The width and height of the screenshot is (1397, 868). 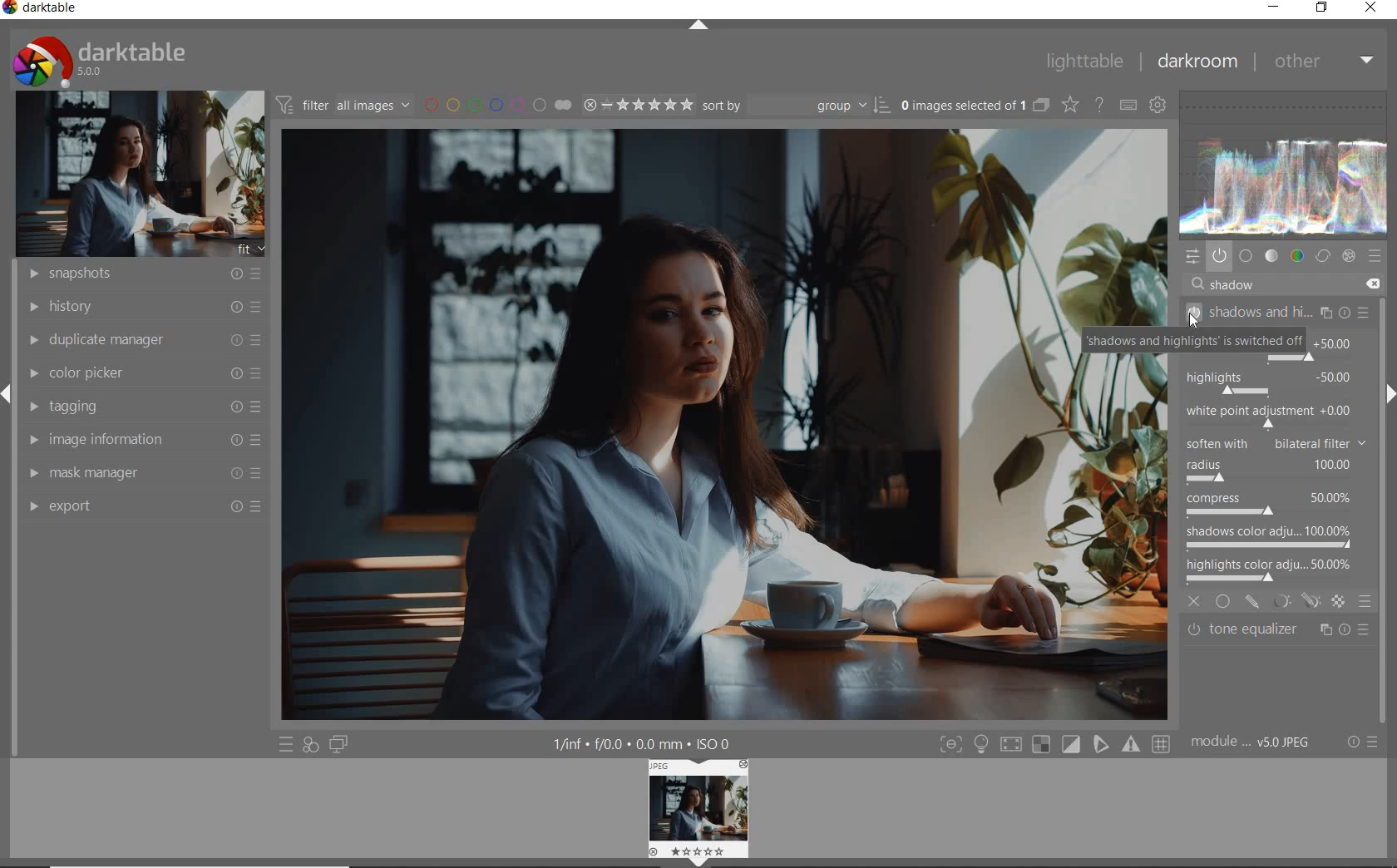 I want to click on darkroom, so click(x=1196, y=62).